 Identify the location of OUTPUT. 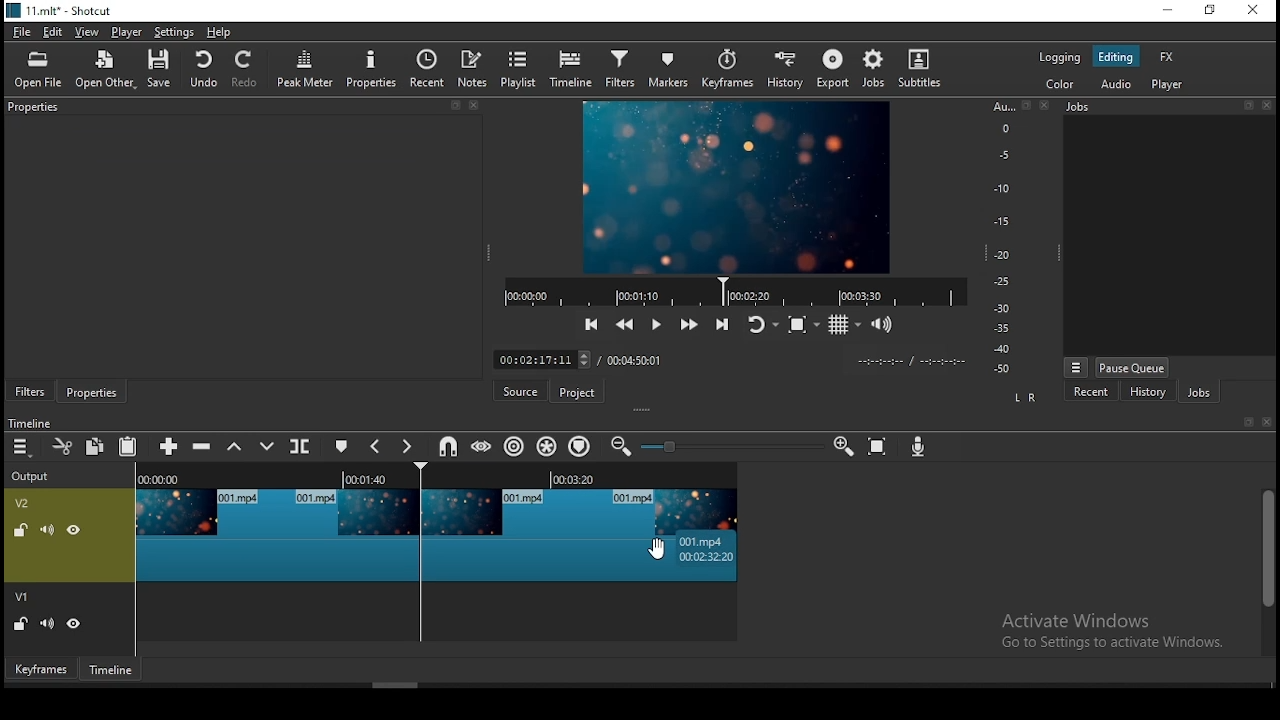
(30, 475).